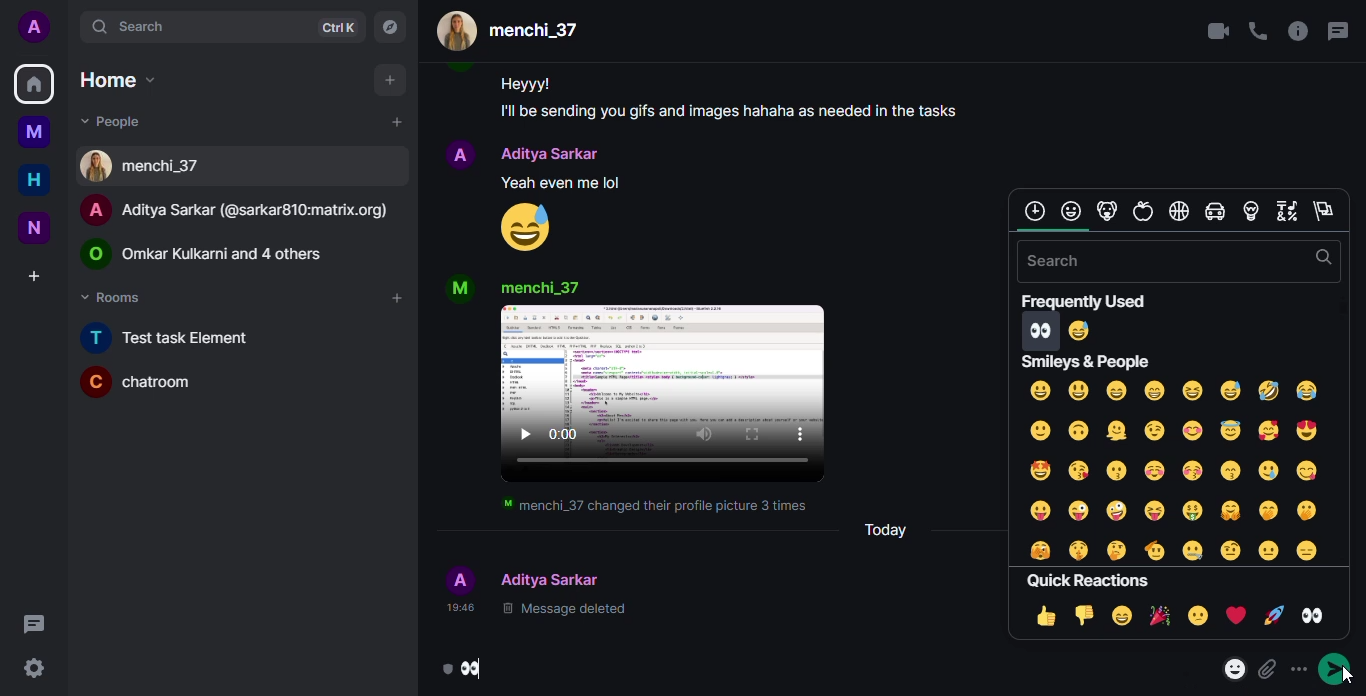 Image resolution: width=1366 pixels, height=696 pixels. Describe the element at coordinates (215, 251) in the screenshot. I see `people` at that location.